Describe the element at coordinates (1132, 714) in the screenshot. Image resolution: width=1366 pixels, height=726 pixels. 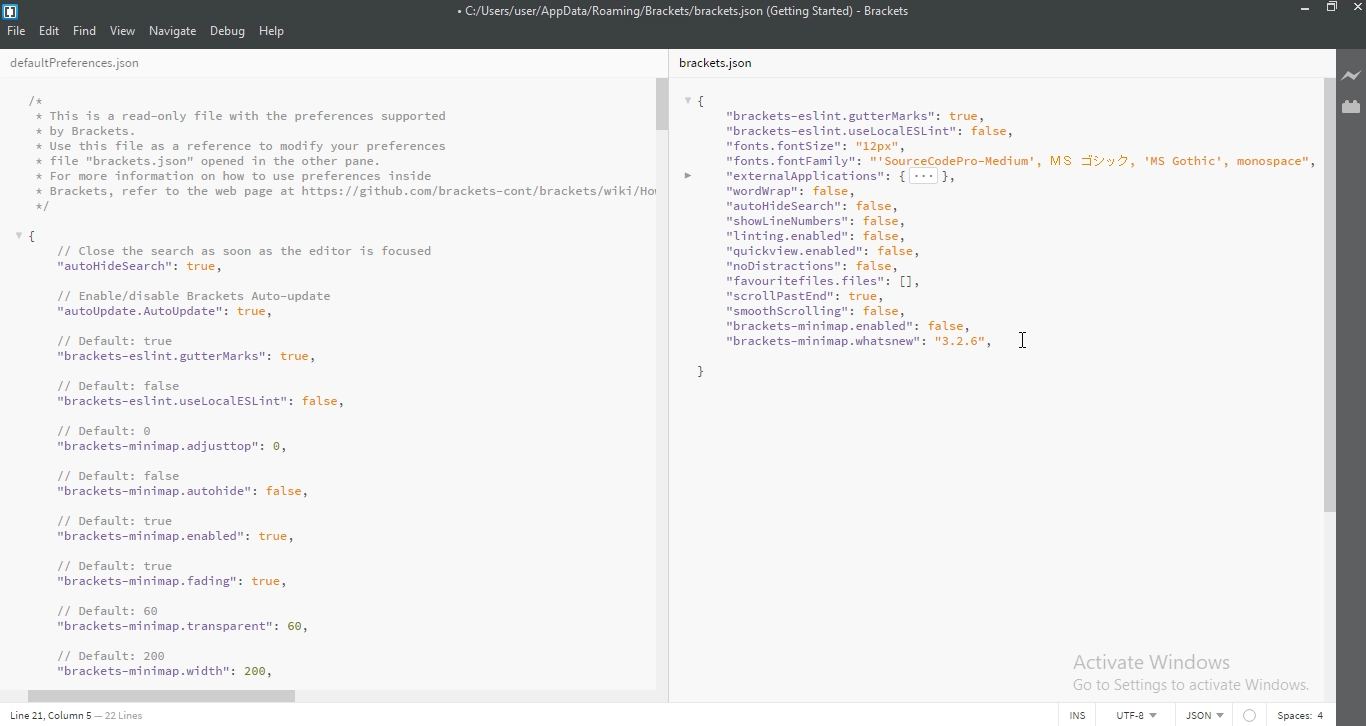
I see `UTF-8` at that location.